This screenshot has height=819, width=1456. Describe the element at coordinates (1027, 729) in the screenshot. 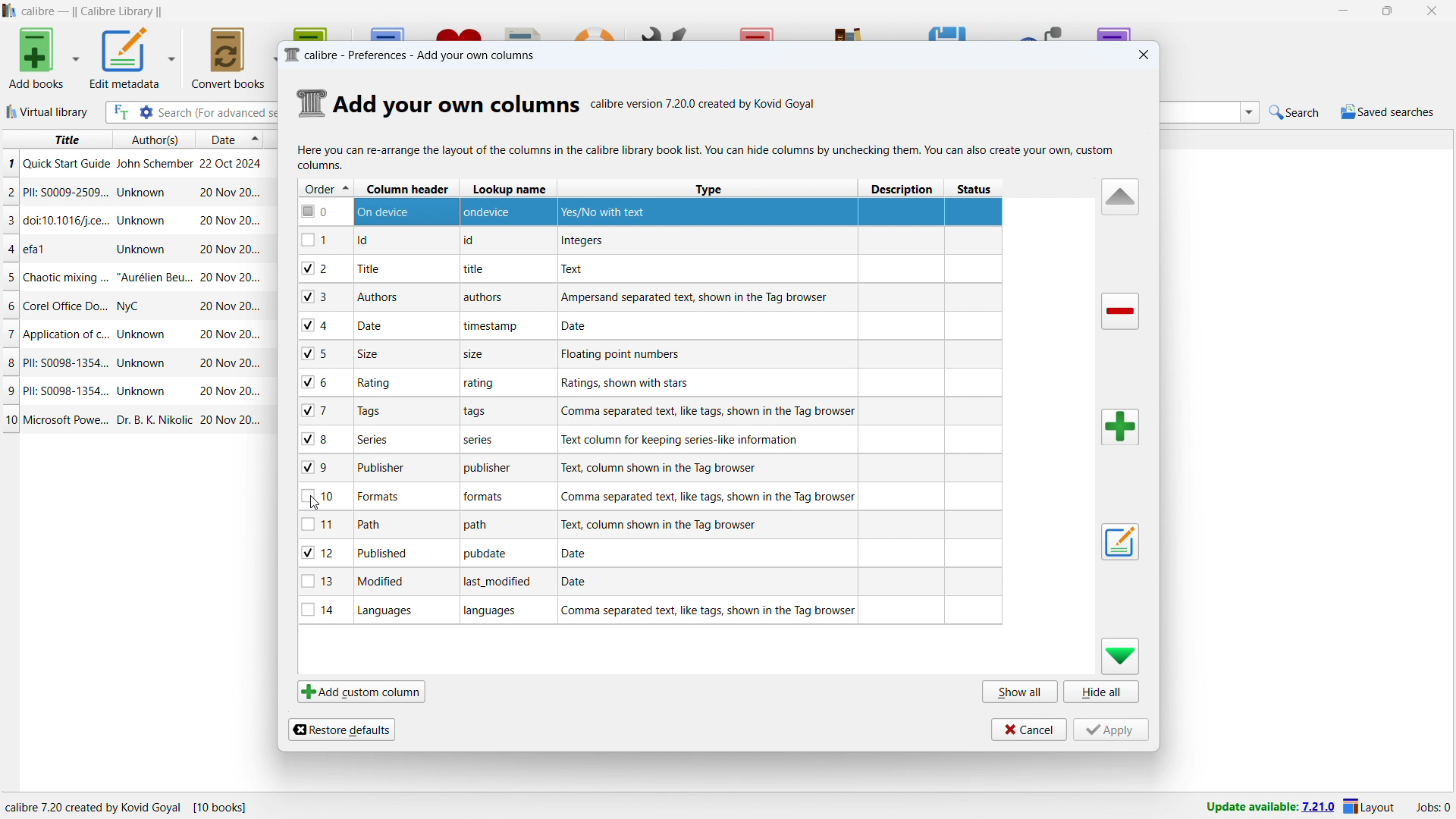

I see `cancel` at that location.